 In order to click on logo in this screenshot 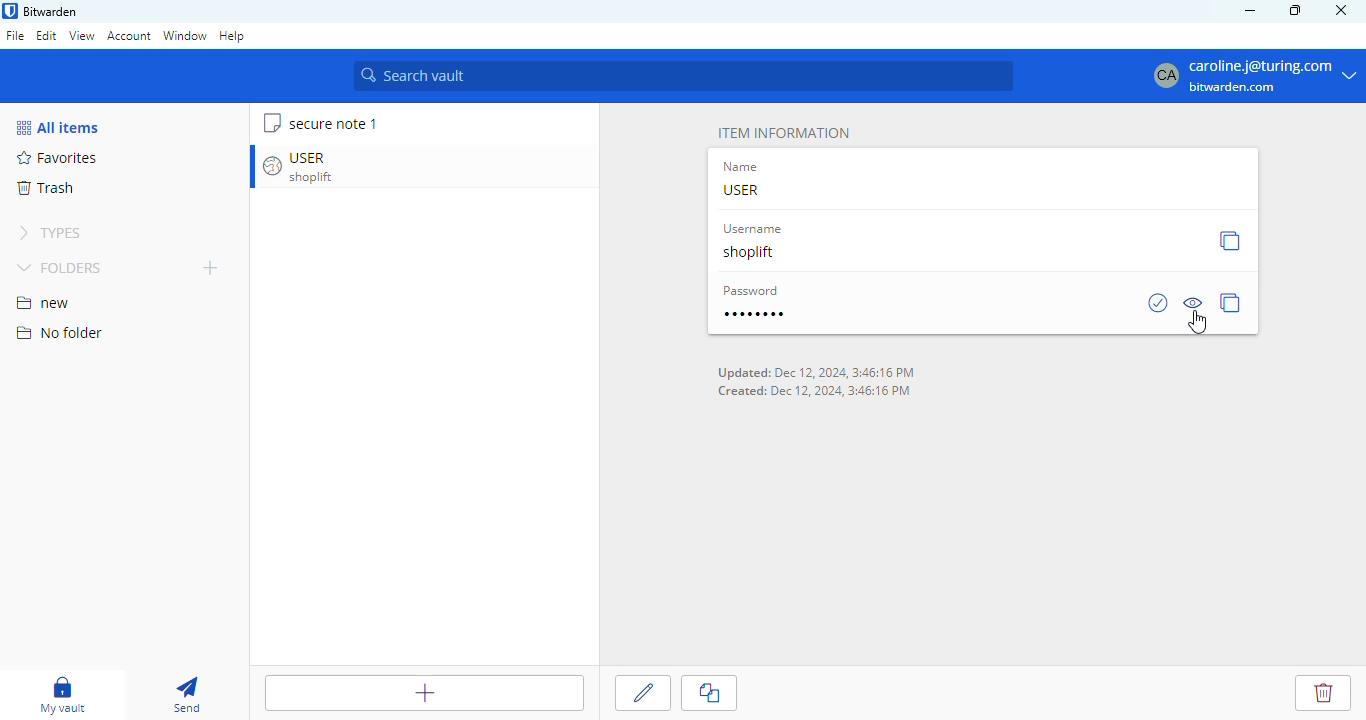, I will do `click(10, 11)`.